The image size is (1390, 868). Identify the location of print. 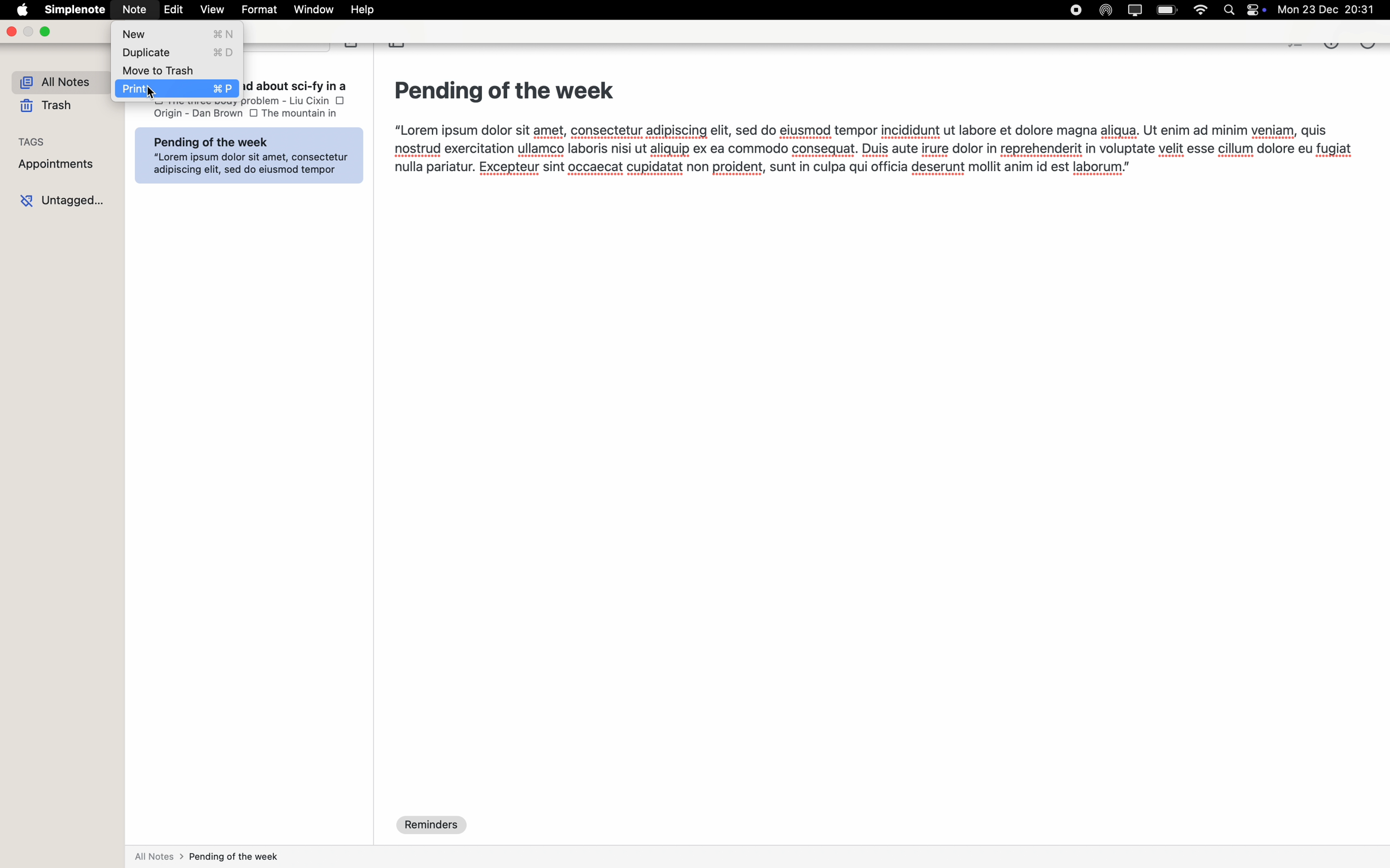
(132, 88).